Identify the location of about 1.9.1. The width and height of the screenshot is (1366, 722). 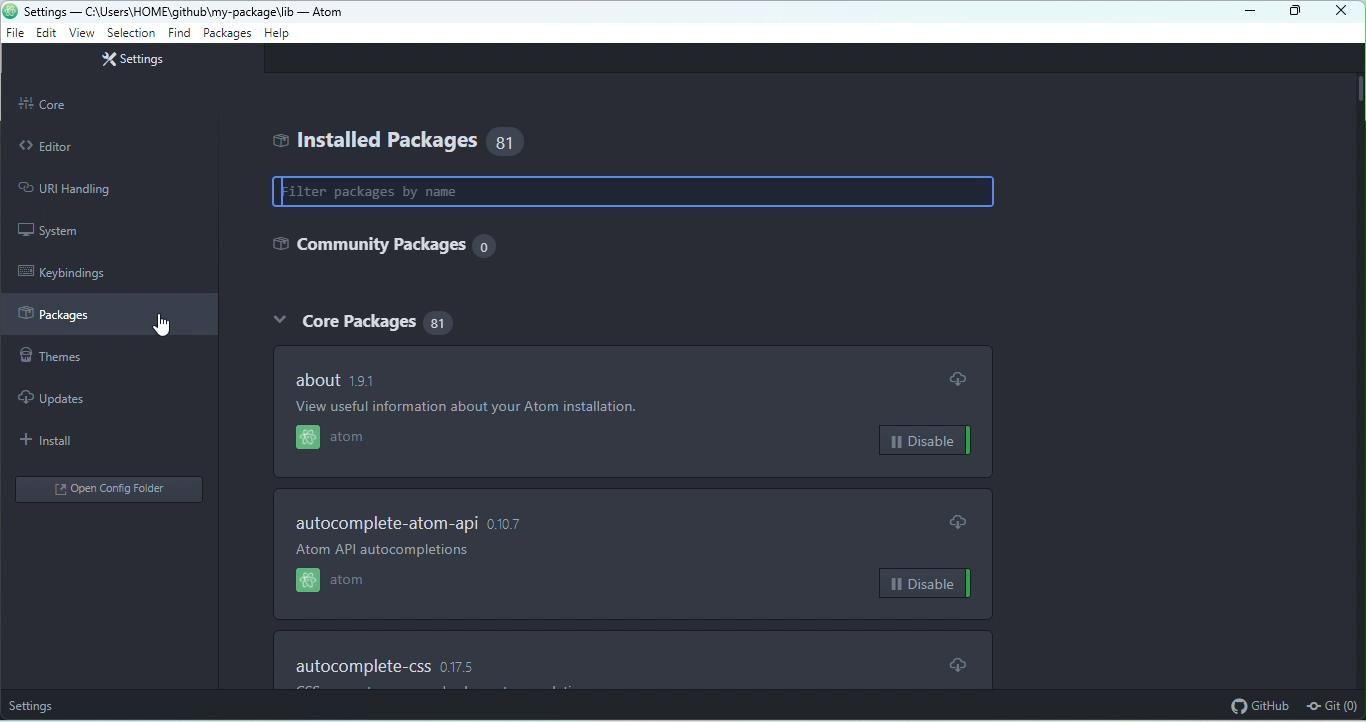
(344, 379).